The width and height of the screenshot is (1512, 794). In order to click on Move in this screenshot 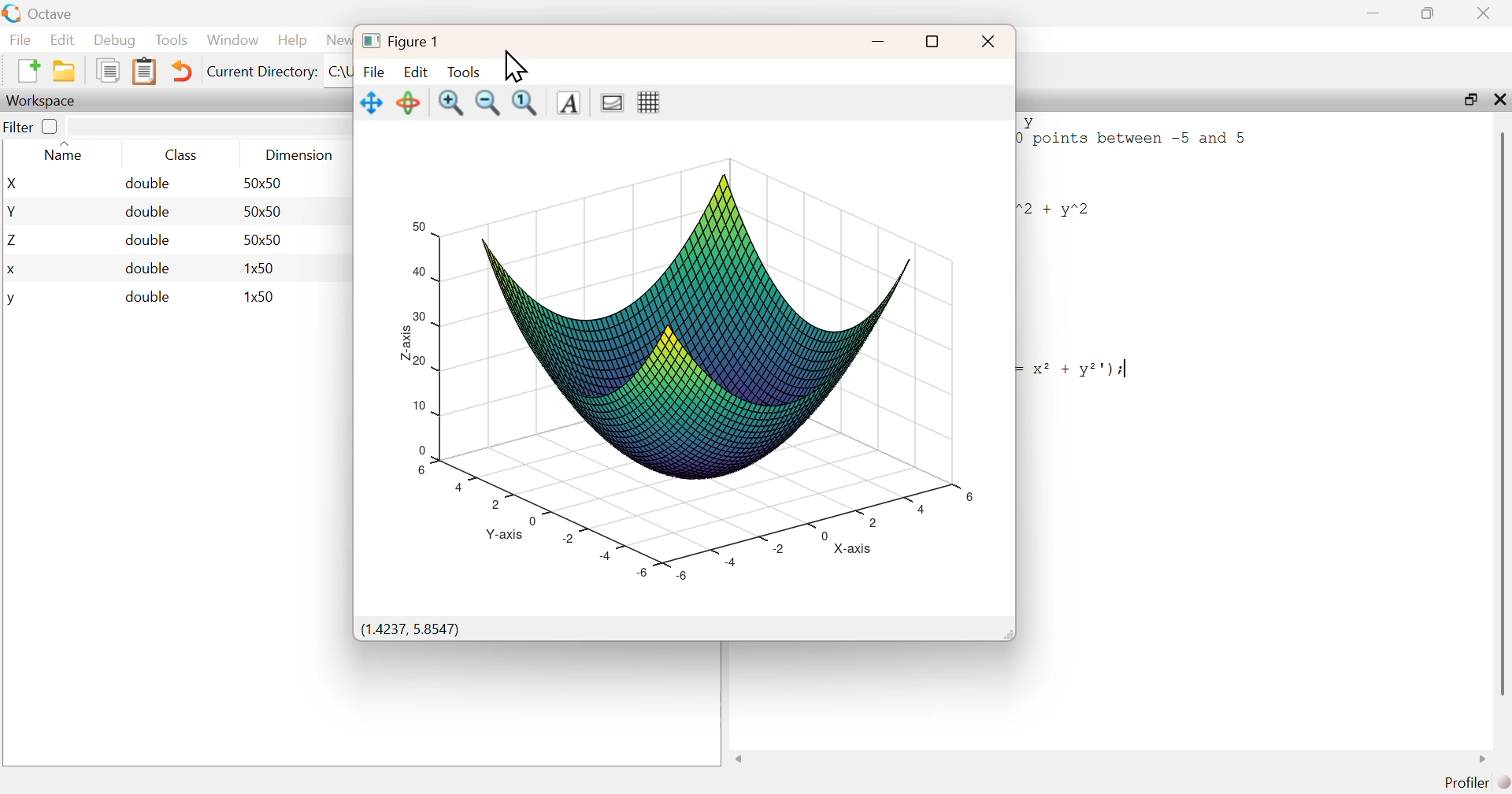, I will do `click(372, 103)`.